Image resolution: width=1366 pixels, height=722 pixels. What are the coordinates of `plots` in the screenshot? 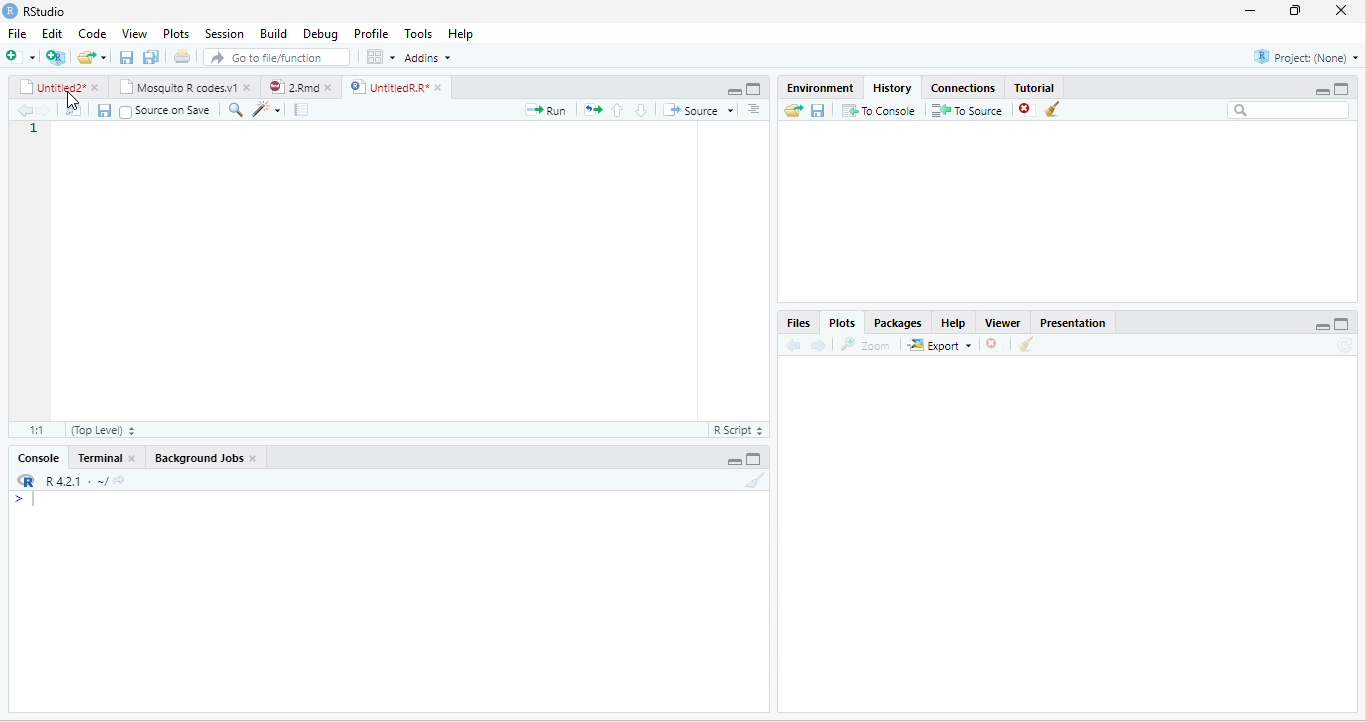 It's located at (176, 33).